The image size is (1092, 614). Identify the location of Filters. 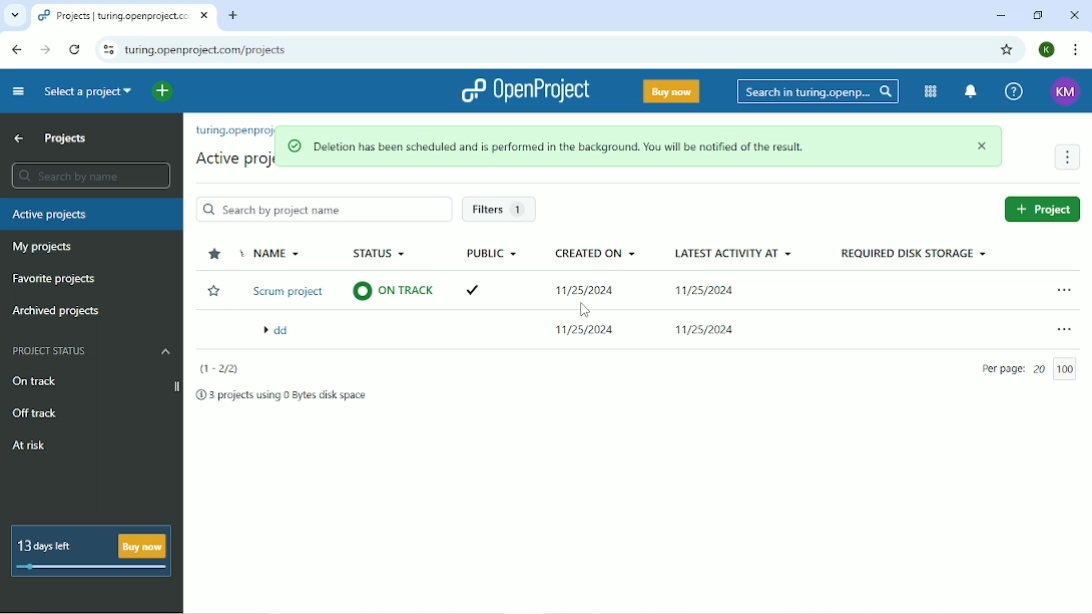
(502, 209).